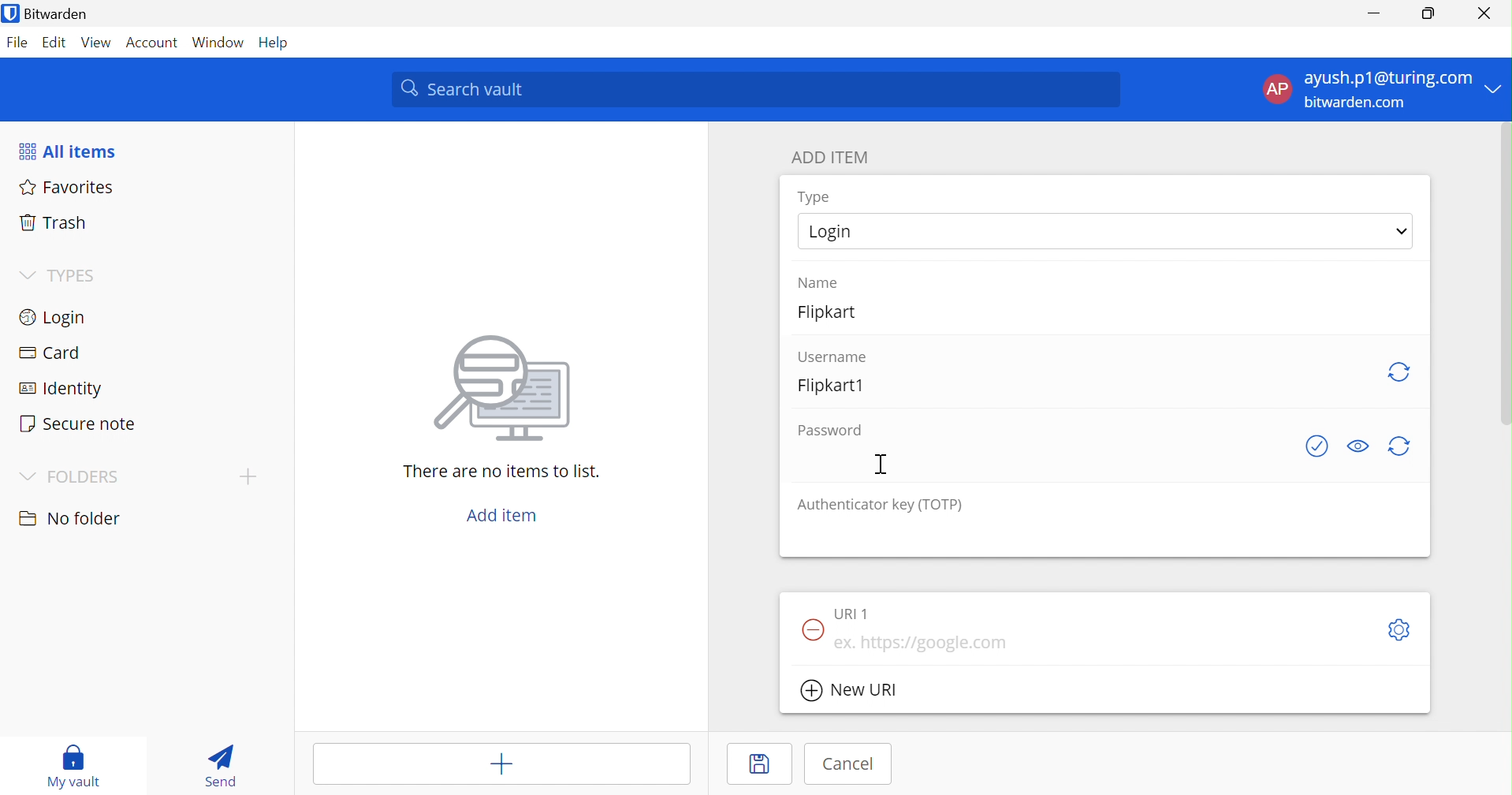 The height and width of the screenshot is (795, 1512). What do you see at coordinates (1362, 104) in the screenshot?
I see `bitwarden.com` at bounding box center [1362, 104].